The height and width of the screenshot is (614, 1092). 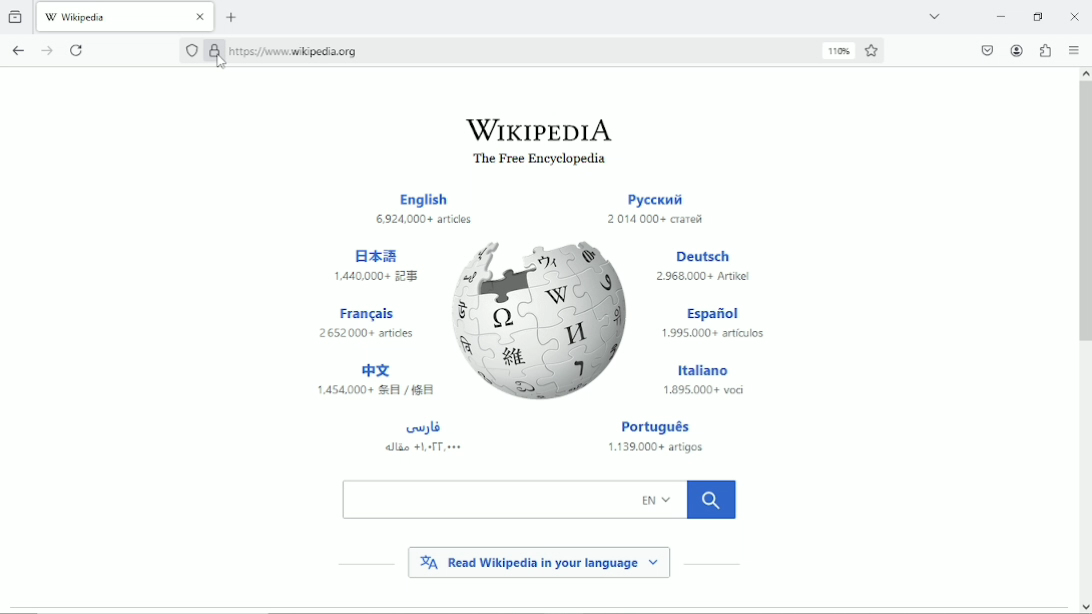 I want to click on list all tabs, so click(x=933, y=15).